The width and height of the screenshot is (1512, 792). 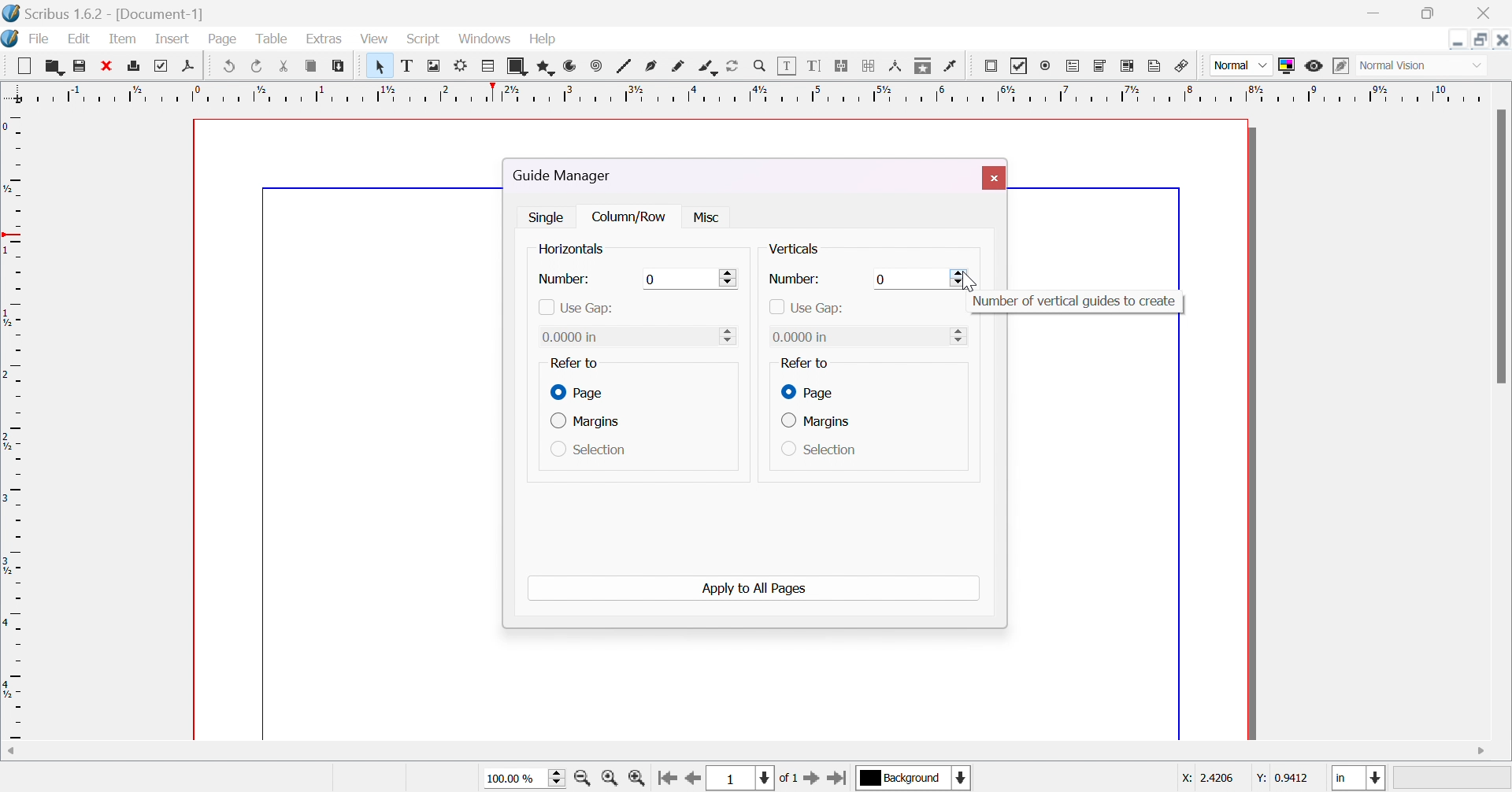 I want to click on use gap, so click(x=575, y=308).